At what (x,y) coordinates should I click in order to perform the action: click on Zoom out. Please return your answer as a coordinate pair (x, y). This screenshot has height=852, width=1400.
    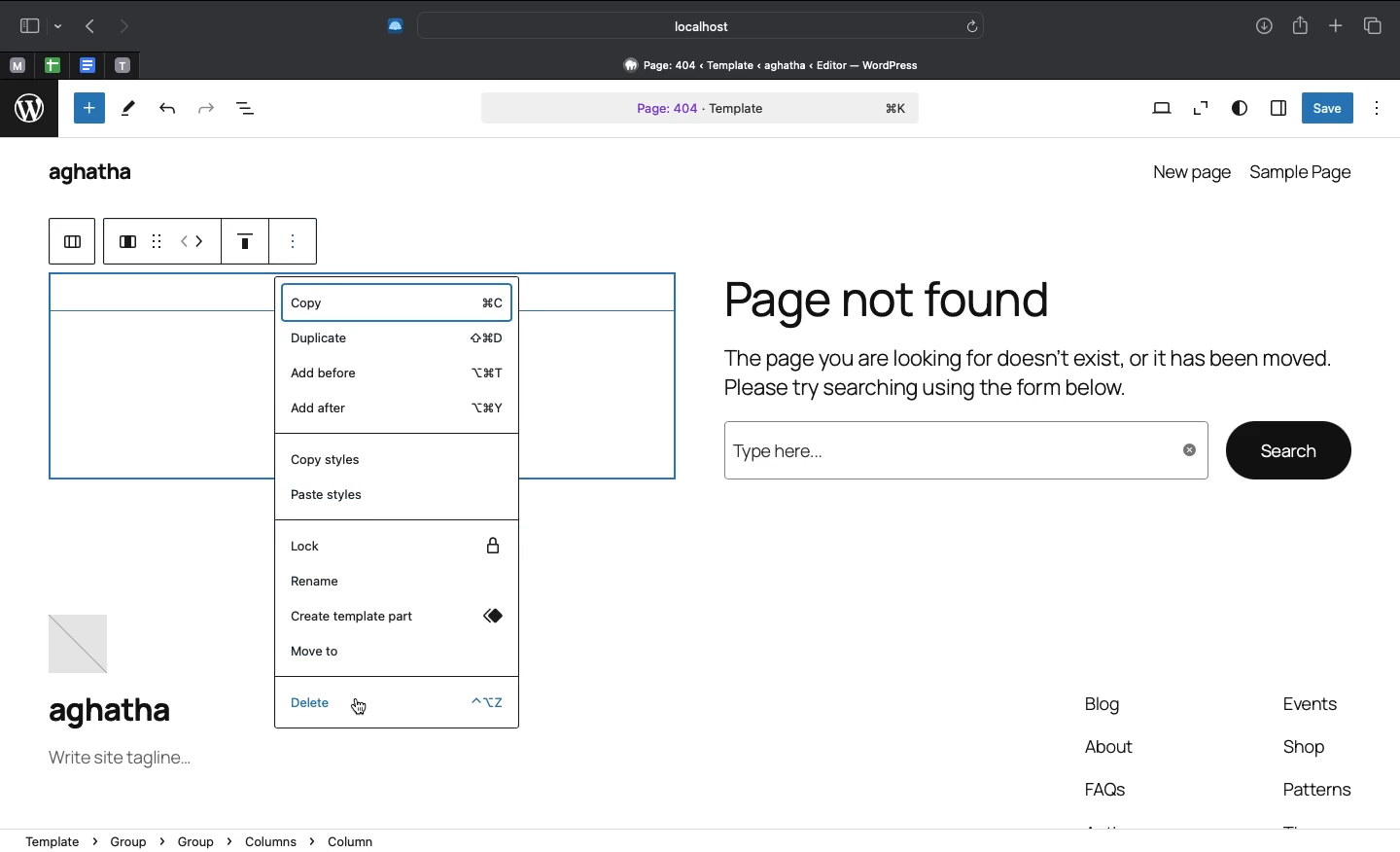
    Looking at the image, I should click on (1198, 109).